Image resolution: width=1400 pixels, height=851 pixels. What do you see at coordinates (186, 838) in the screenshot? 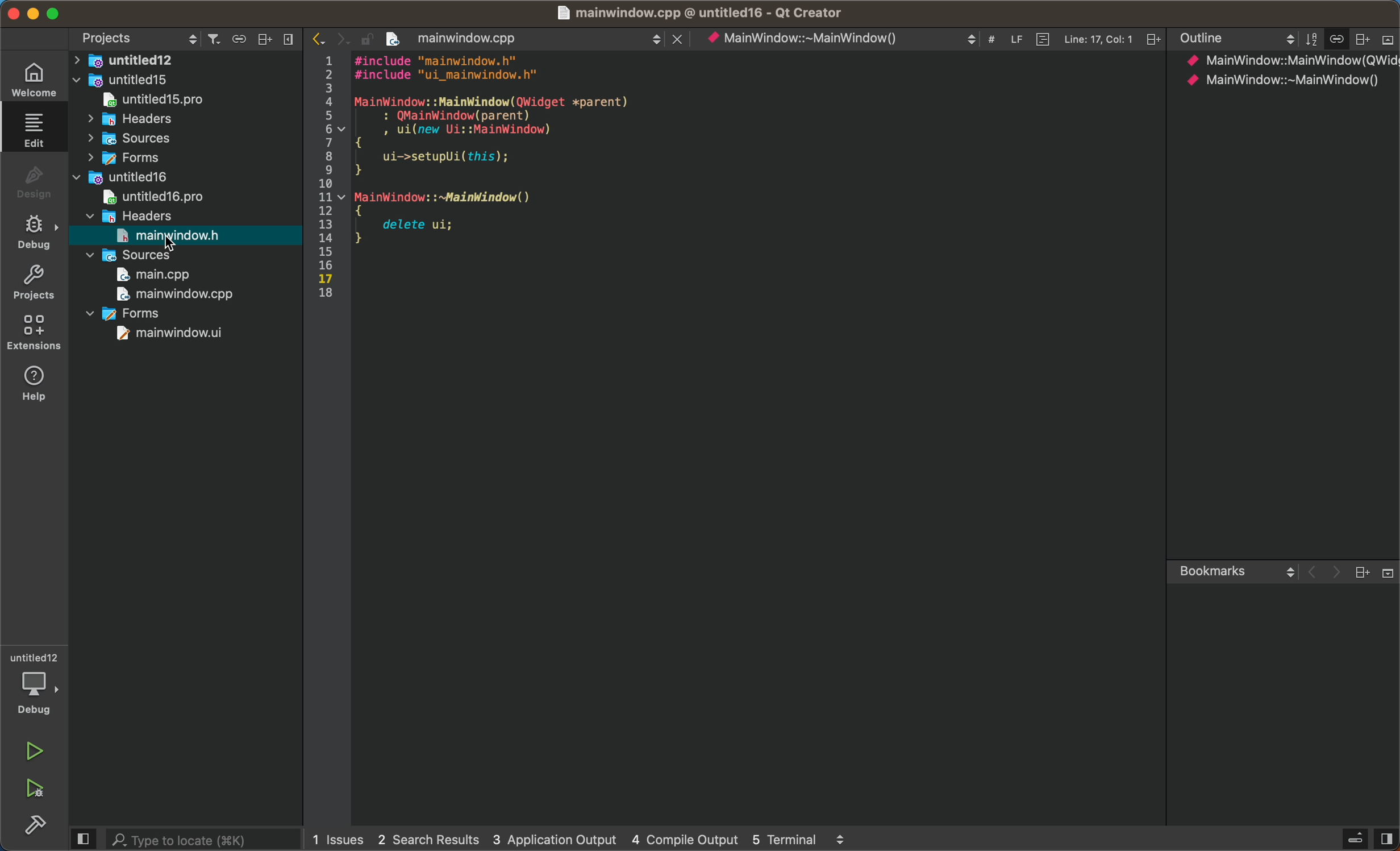
I see `search` at bounding box center [186, 838].